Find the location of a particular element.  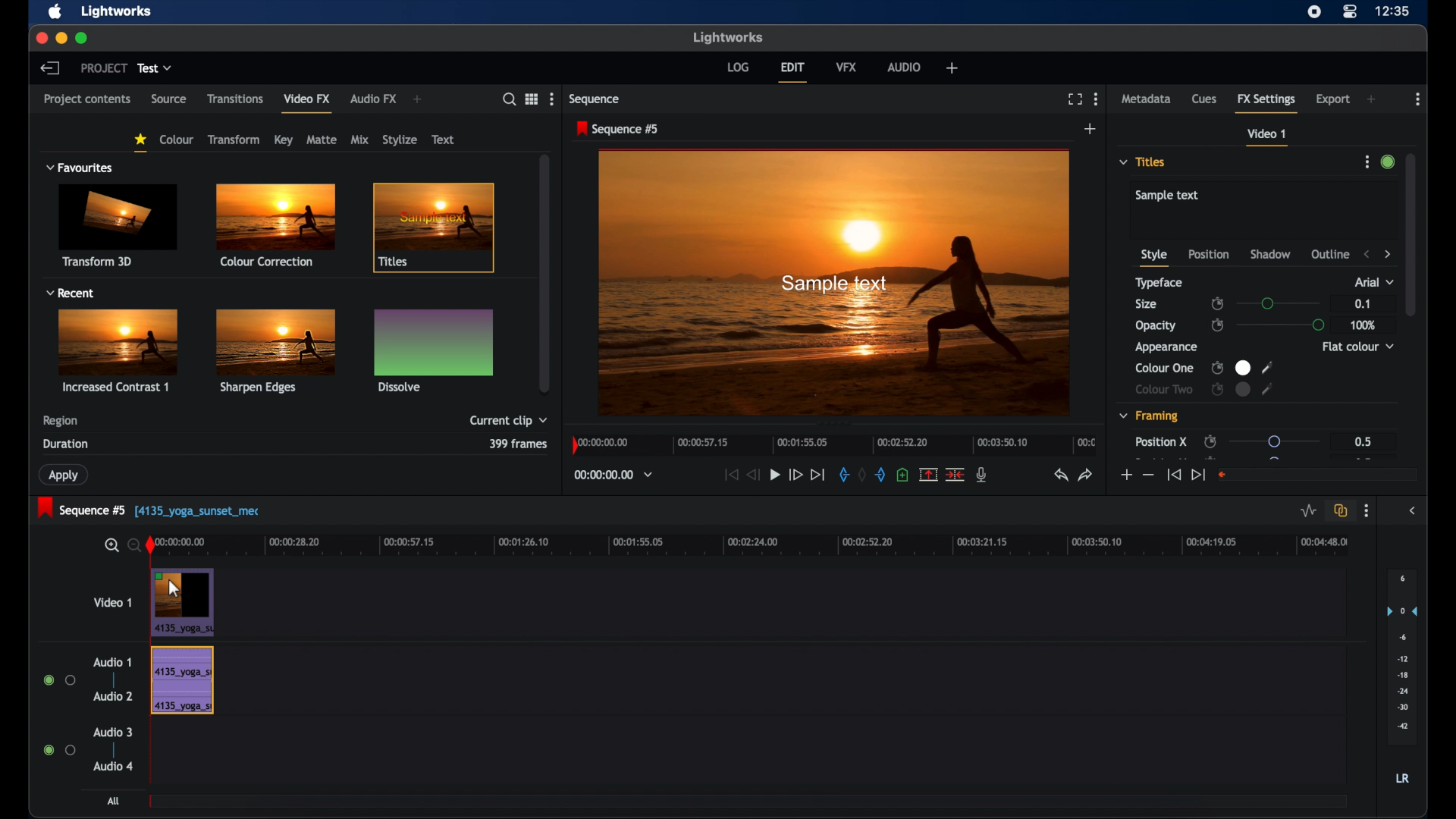

position is located at coordinates (1210, 255).